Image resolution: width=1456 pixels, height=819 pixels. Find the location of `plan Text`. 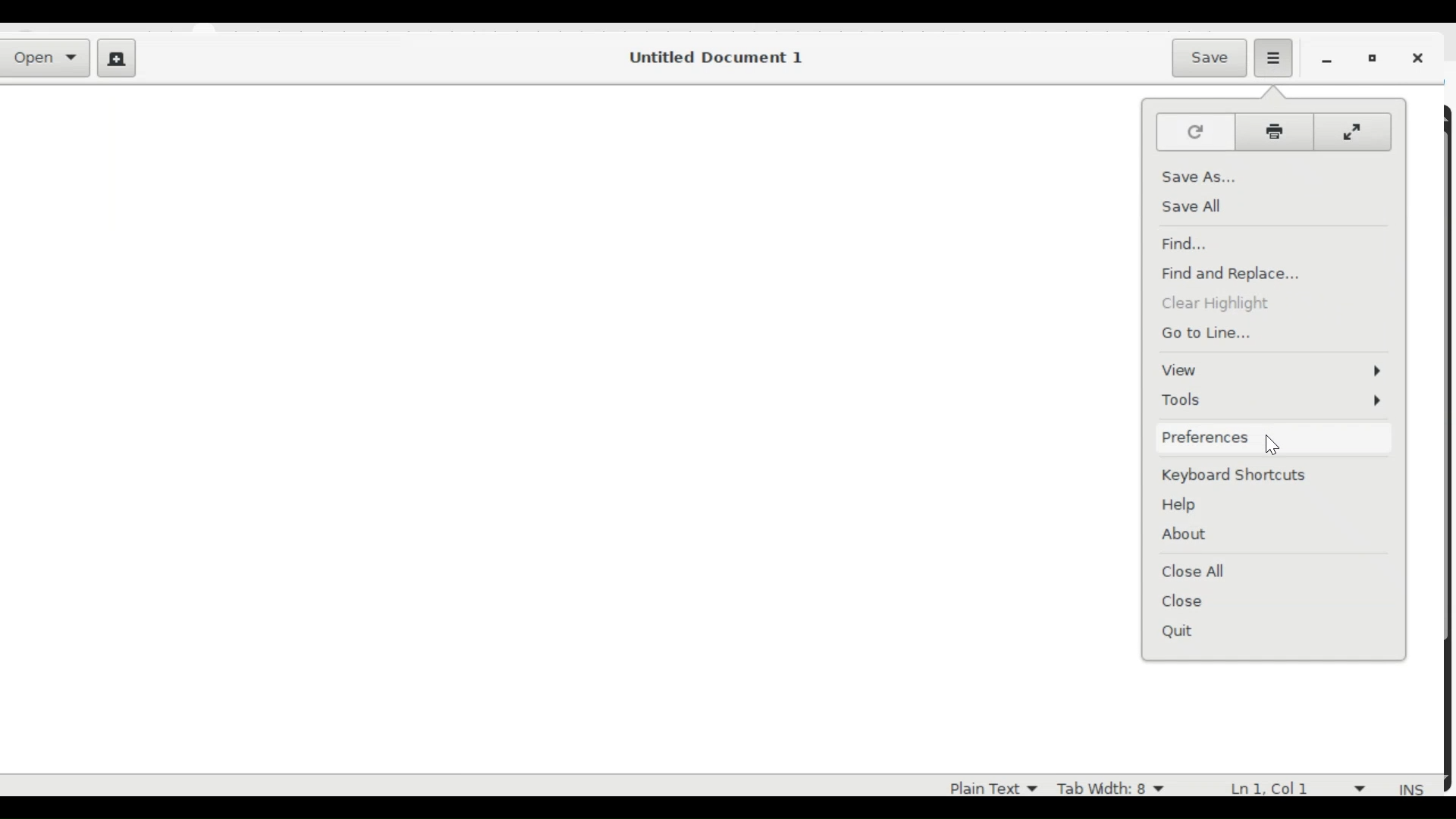

plan Text is located at coordinates (984, 786).